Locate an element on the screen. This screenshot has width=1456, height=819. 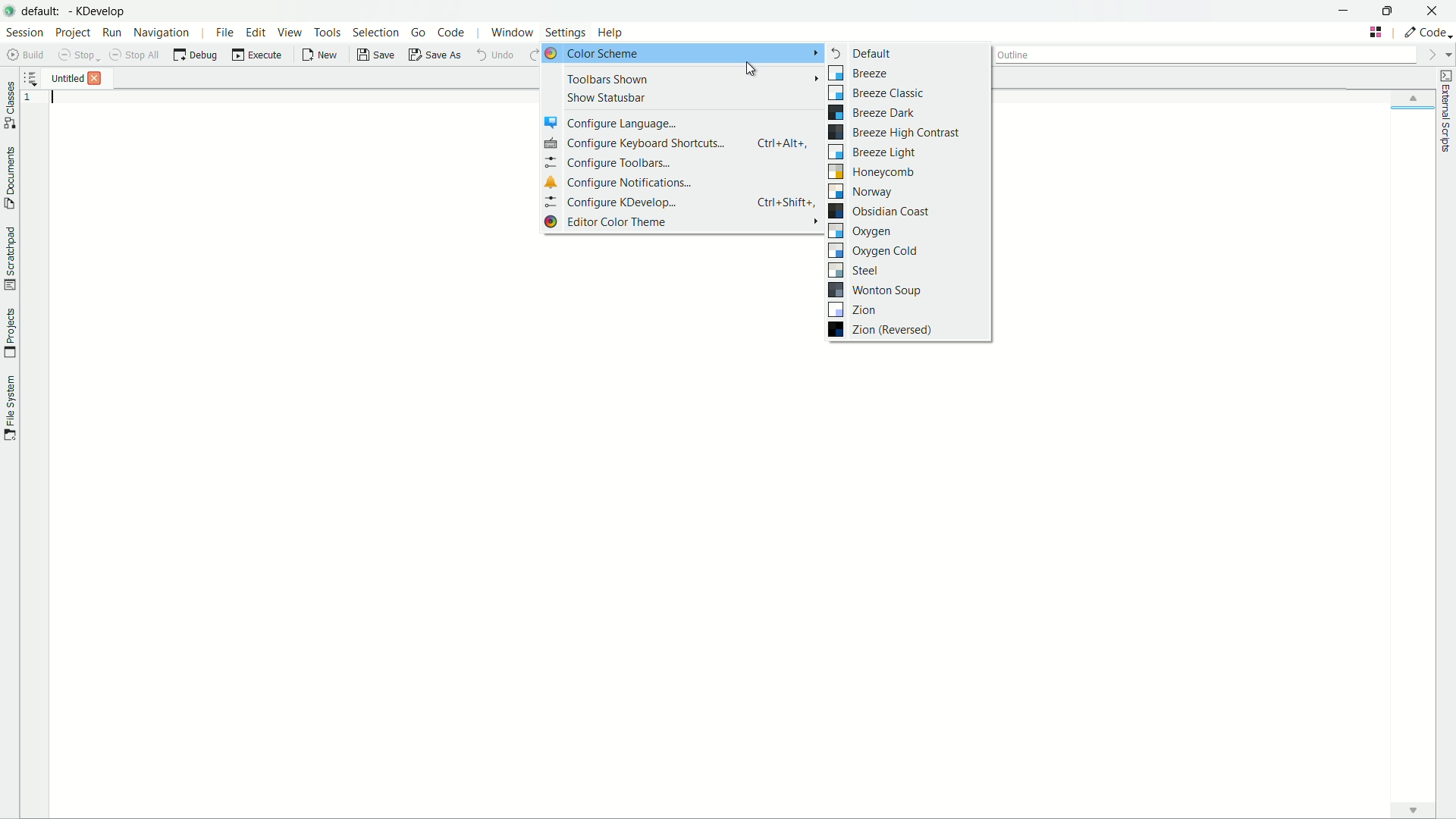
debug is located at coordinates (195, 55).